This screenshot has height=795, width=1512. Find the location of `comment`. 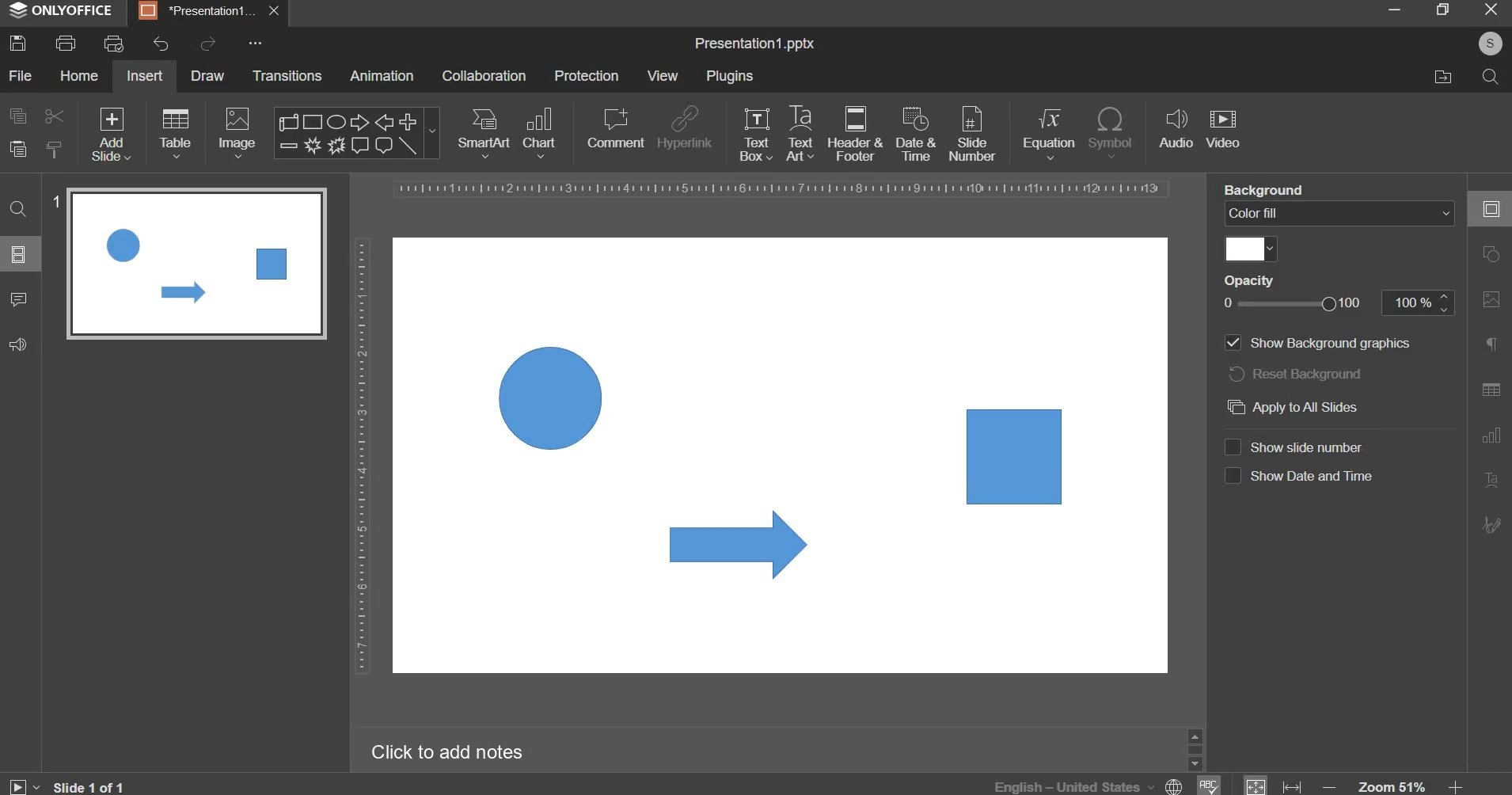

comment is located at coordinates (17, 298).